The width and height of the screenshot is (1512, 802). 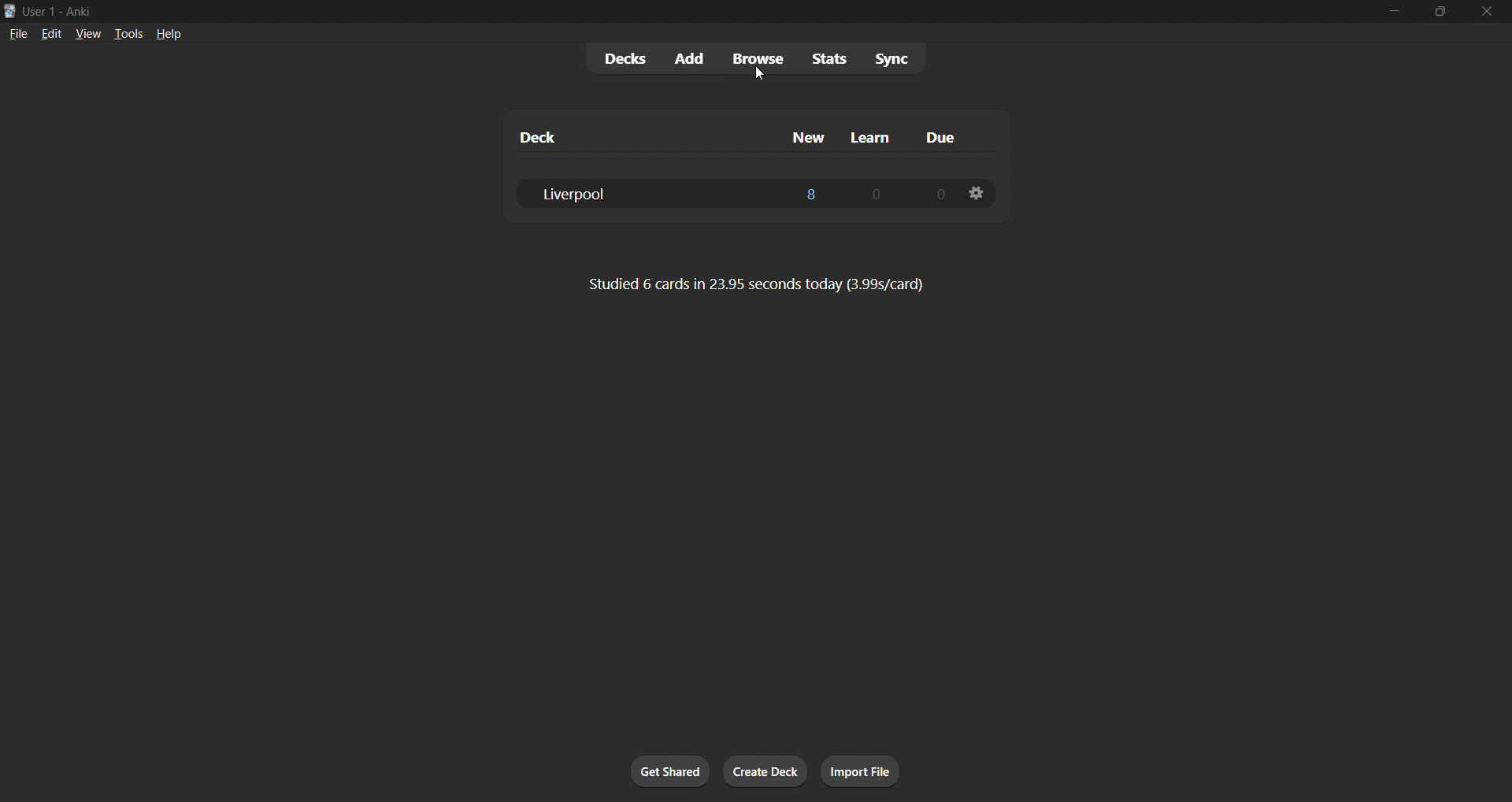 What do you see at coordinates (615, 58) in the screenshot?
I see `decks` at bounding box center [615, 58].